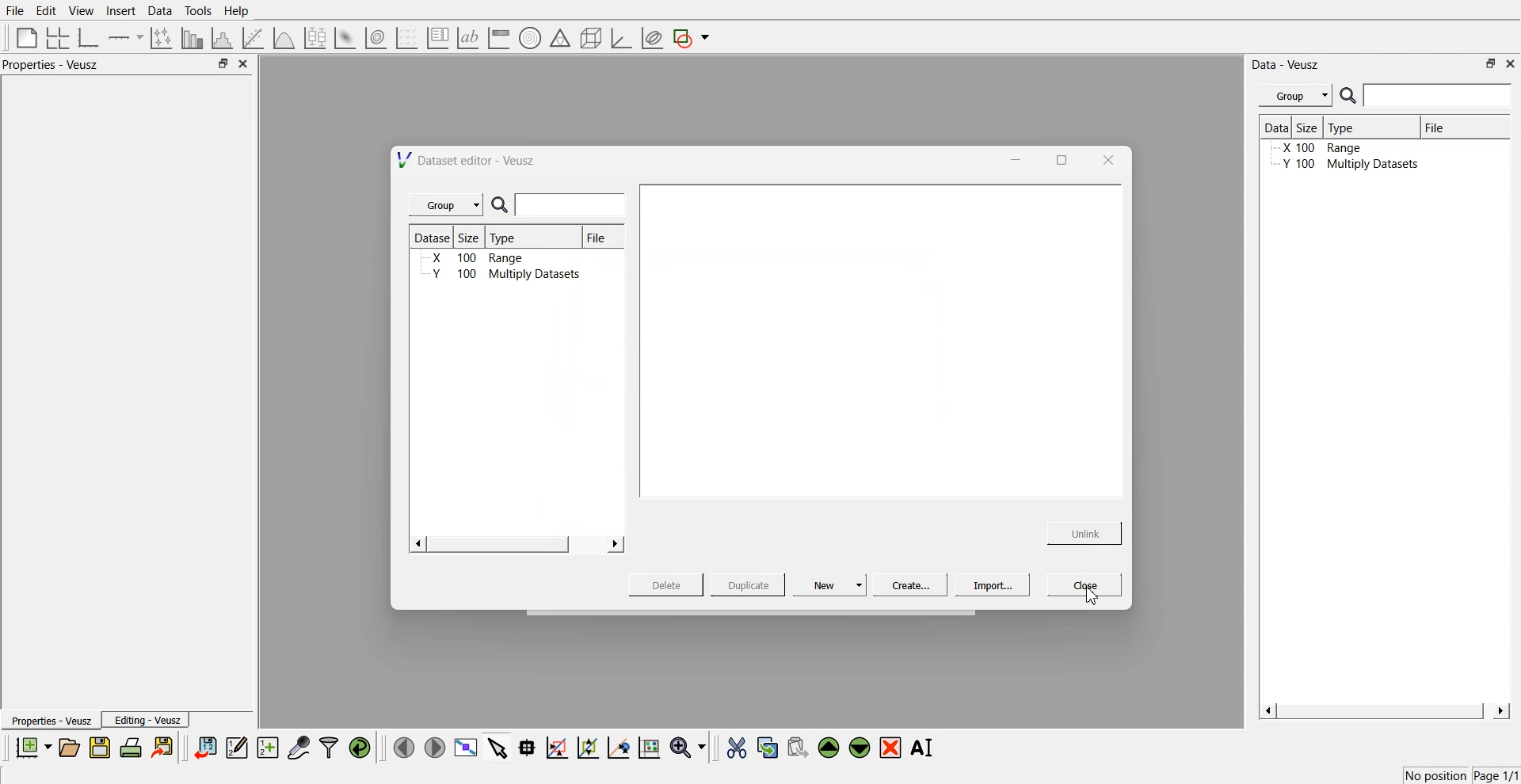 The width and height of the screenshot is (1521, 784). Describe the element at coordinates (159, 11) in the screenshot. I see `Data` at that location.